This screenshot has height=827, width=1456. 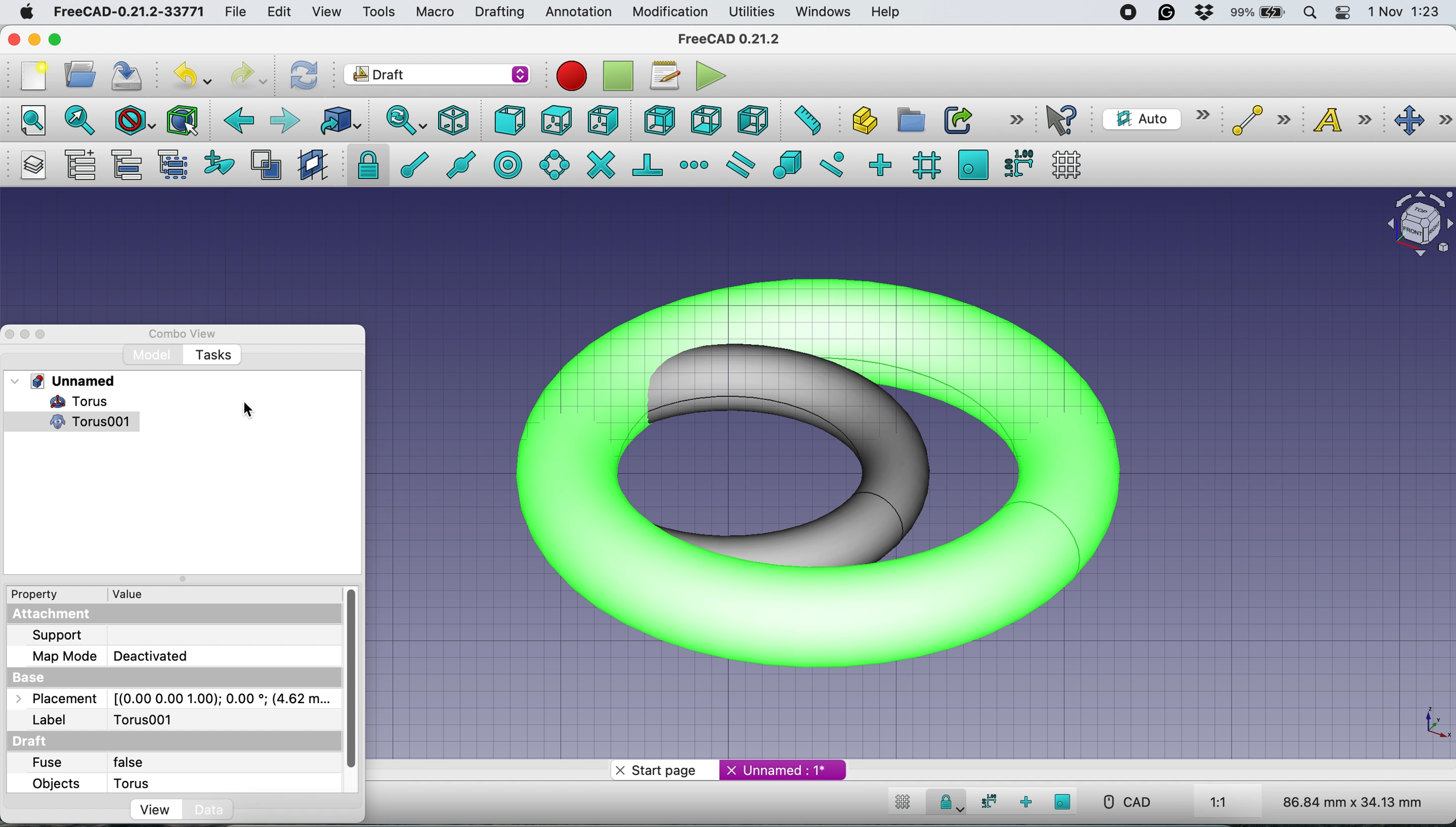 I want to click on view, so click(x=326, y=13).